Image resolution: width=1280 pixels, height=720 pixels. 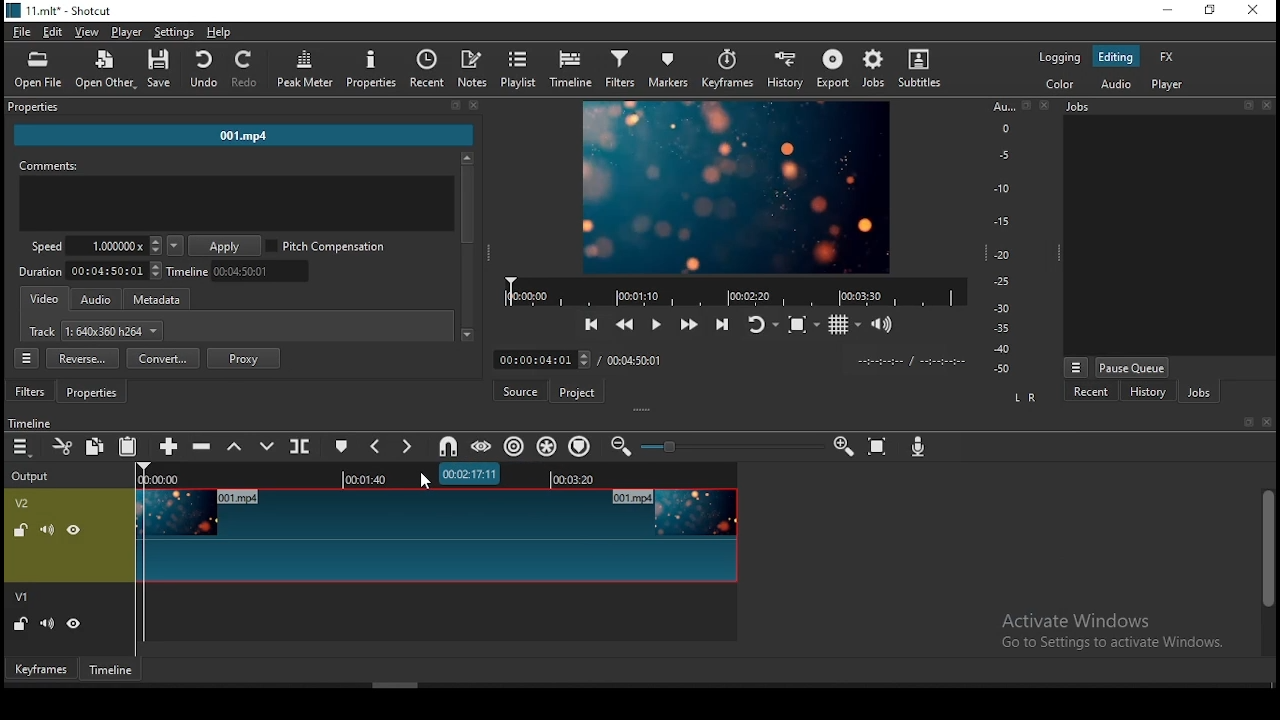 What do you see at coordinates (302, 446) in the screenshot?
I see `split at playhead` at bounding box center [302, 446].